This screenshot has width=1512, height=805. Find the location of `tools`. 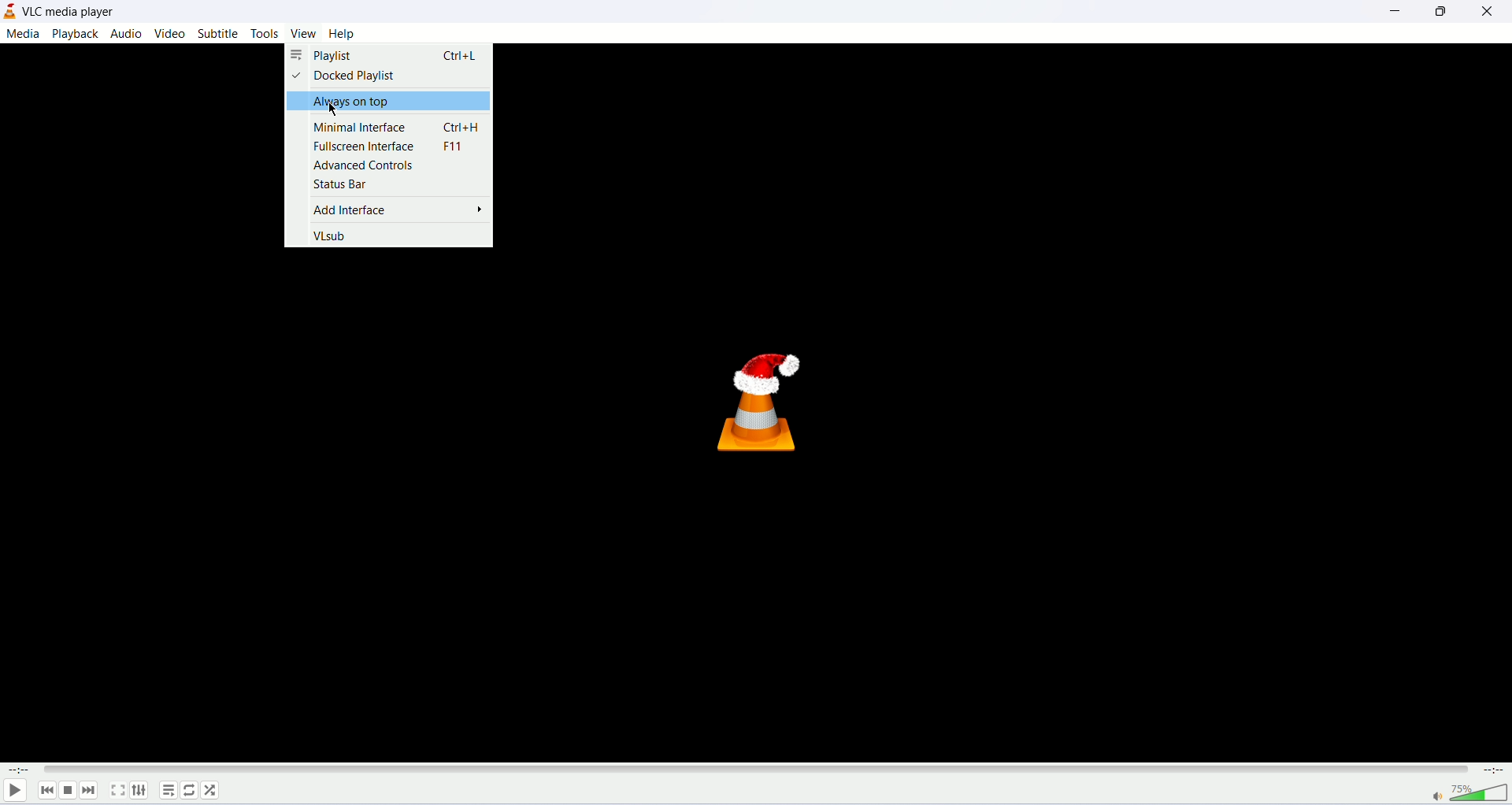

tools is located at coordinates (266, 34).